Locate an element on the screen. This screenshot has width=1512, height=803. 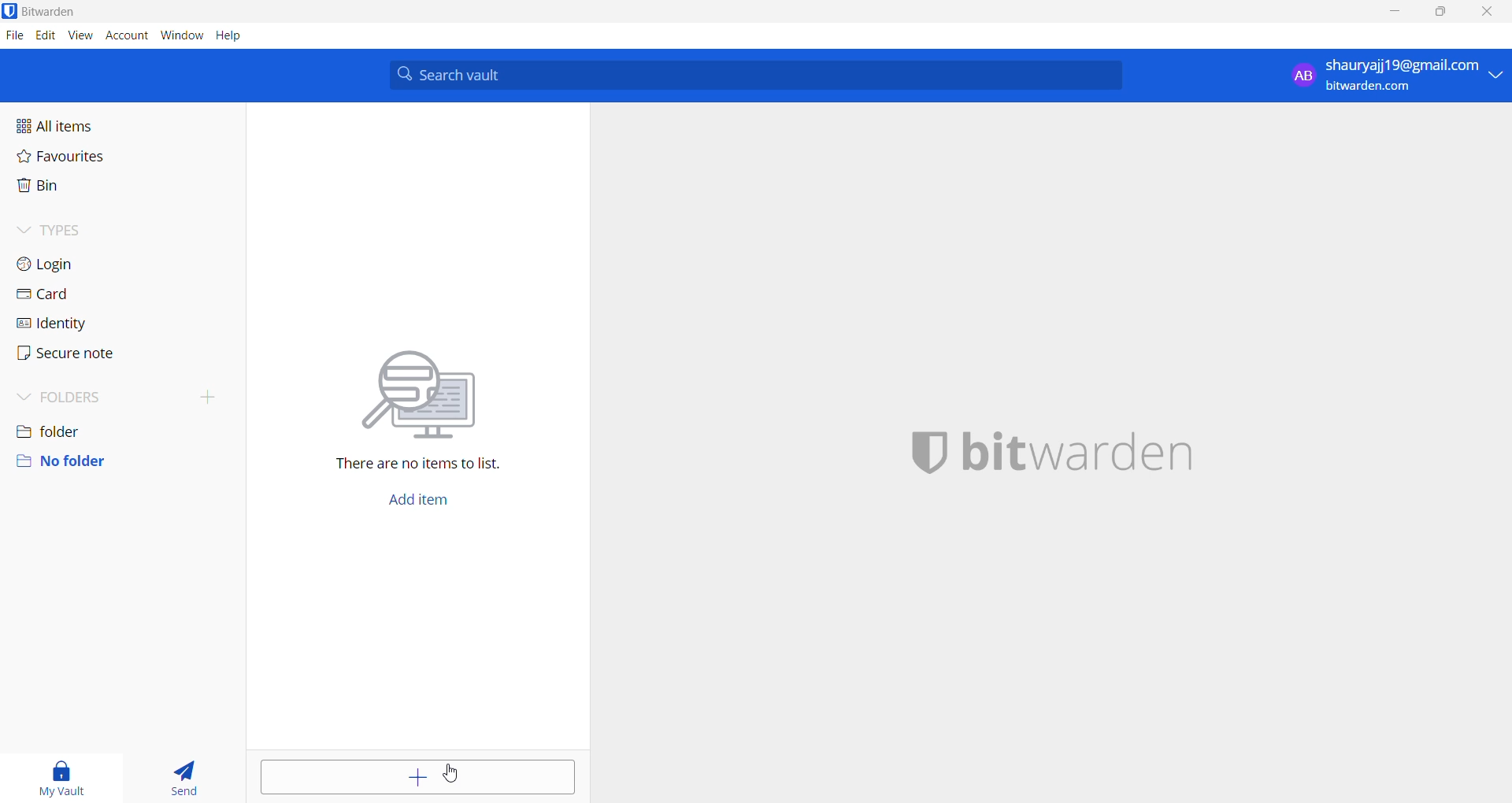
account is located at coordinates (125, 36).